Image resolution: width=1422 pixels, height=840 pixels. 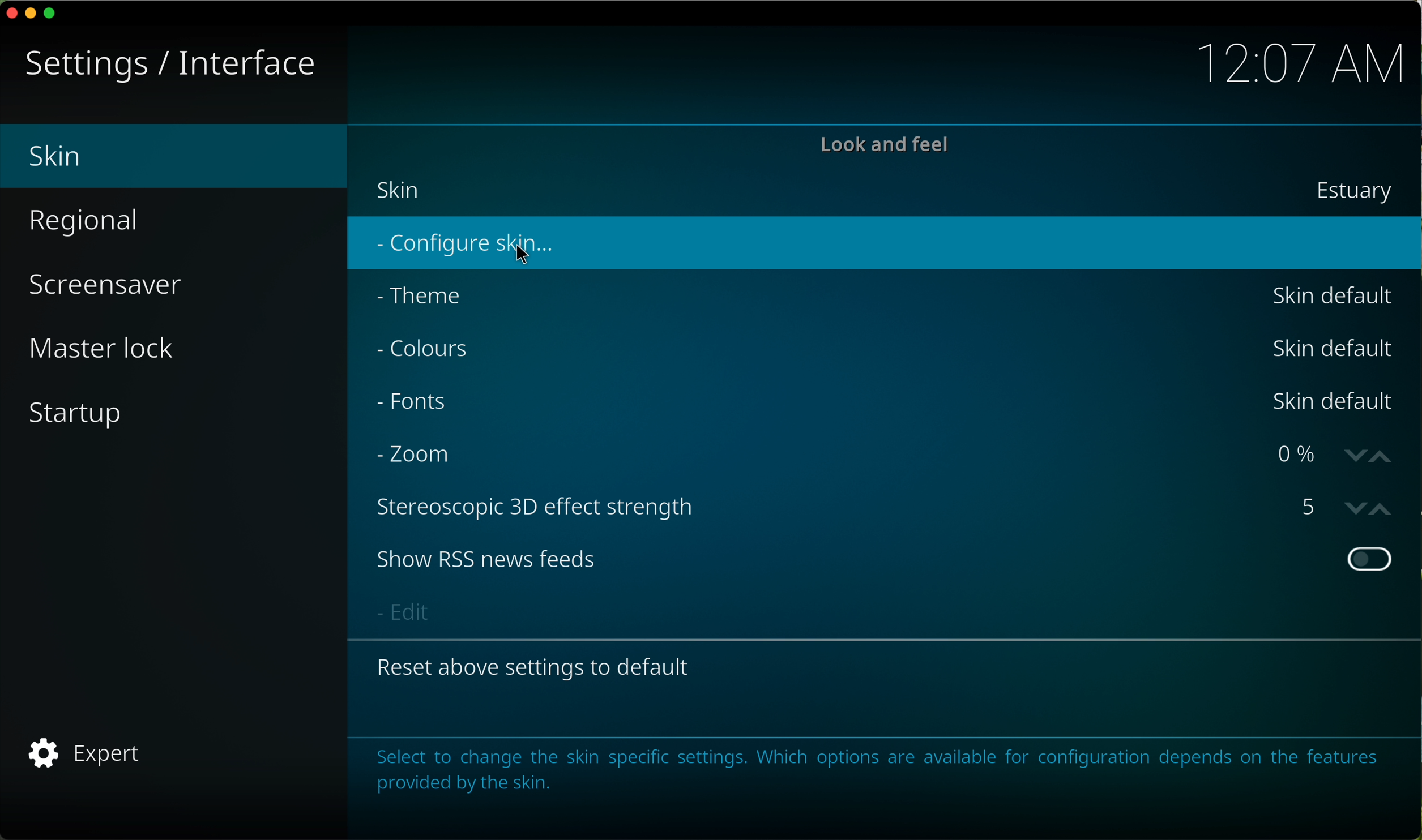 I want to click on reset above settings to default, so click(x=537, y=665).